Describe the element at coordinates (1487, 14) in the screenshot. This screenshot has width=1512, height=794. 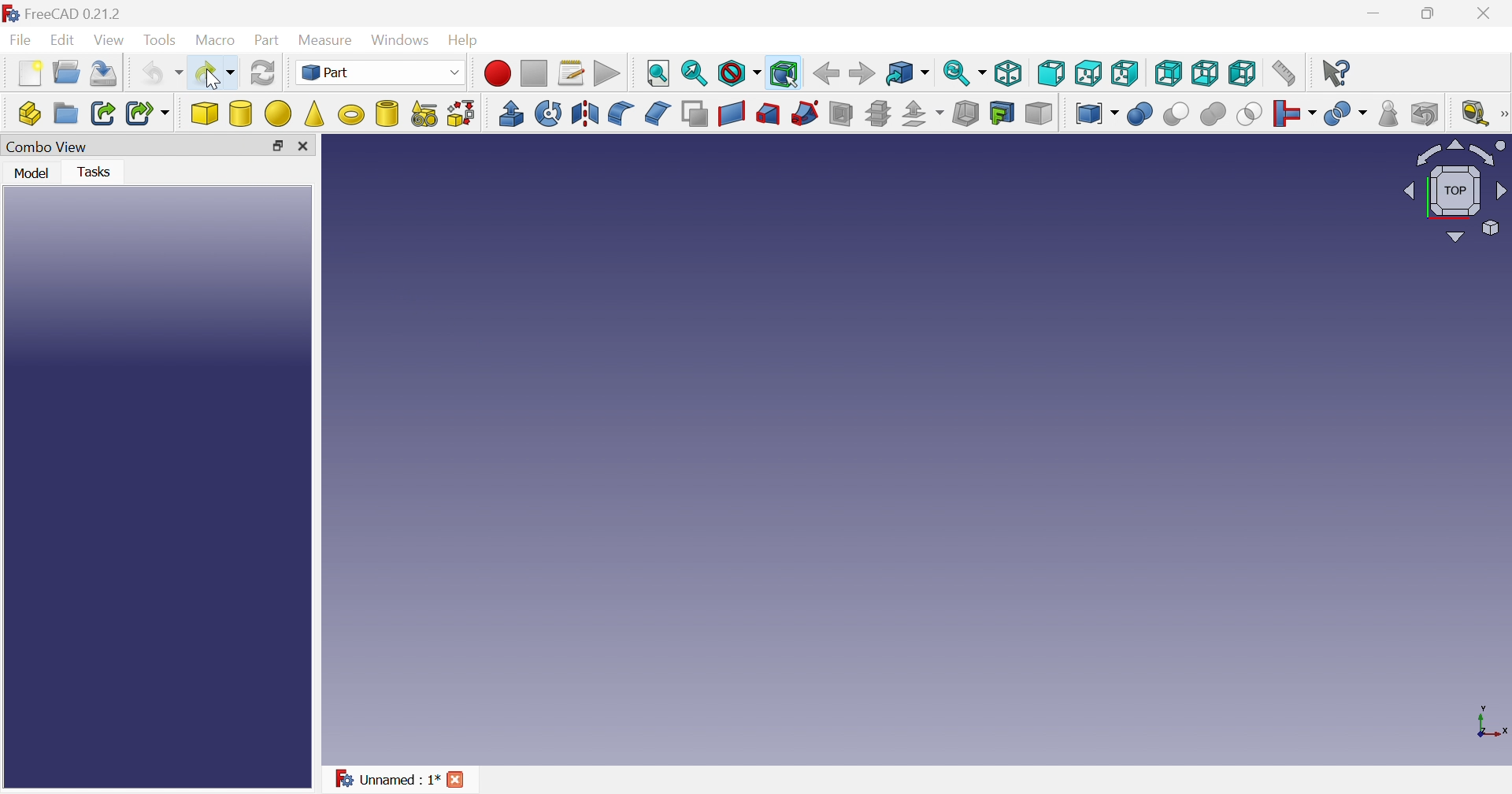
I see `Close` at that location.